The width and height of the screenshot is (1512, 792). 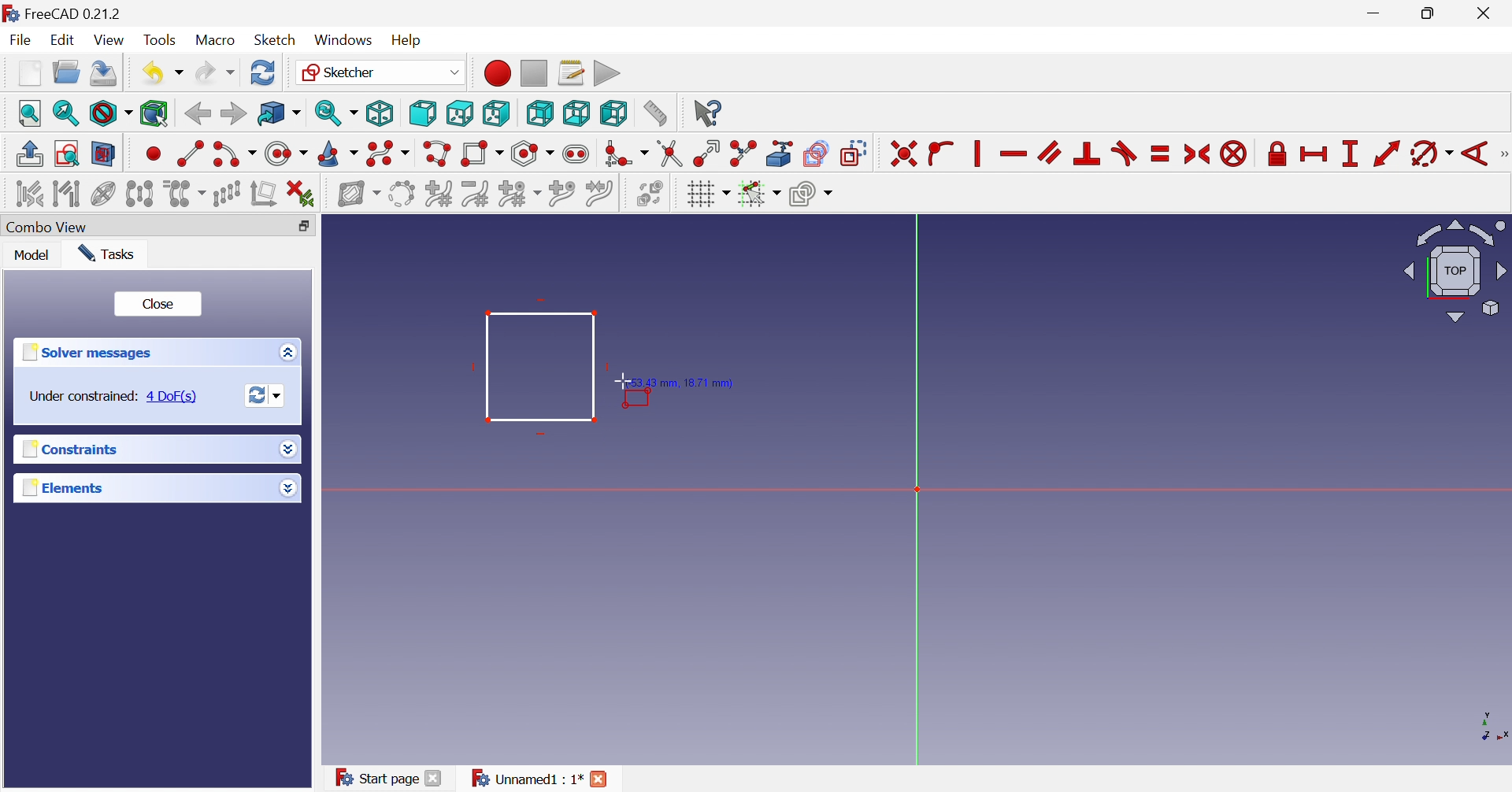 I want to click on Tools, so click(x=160, y=39).